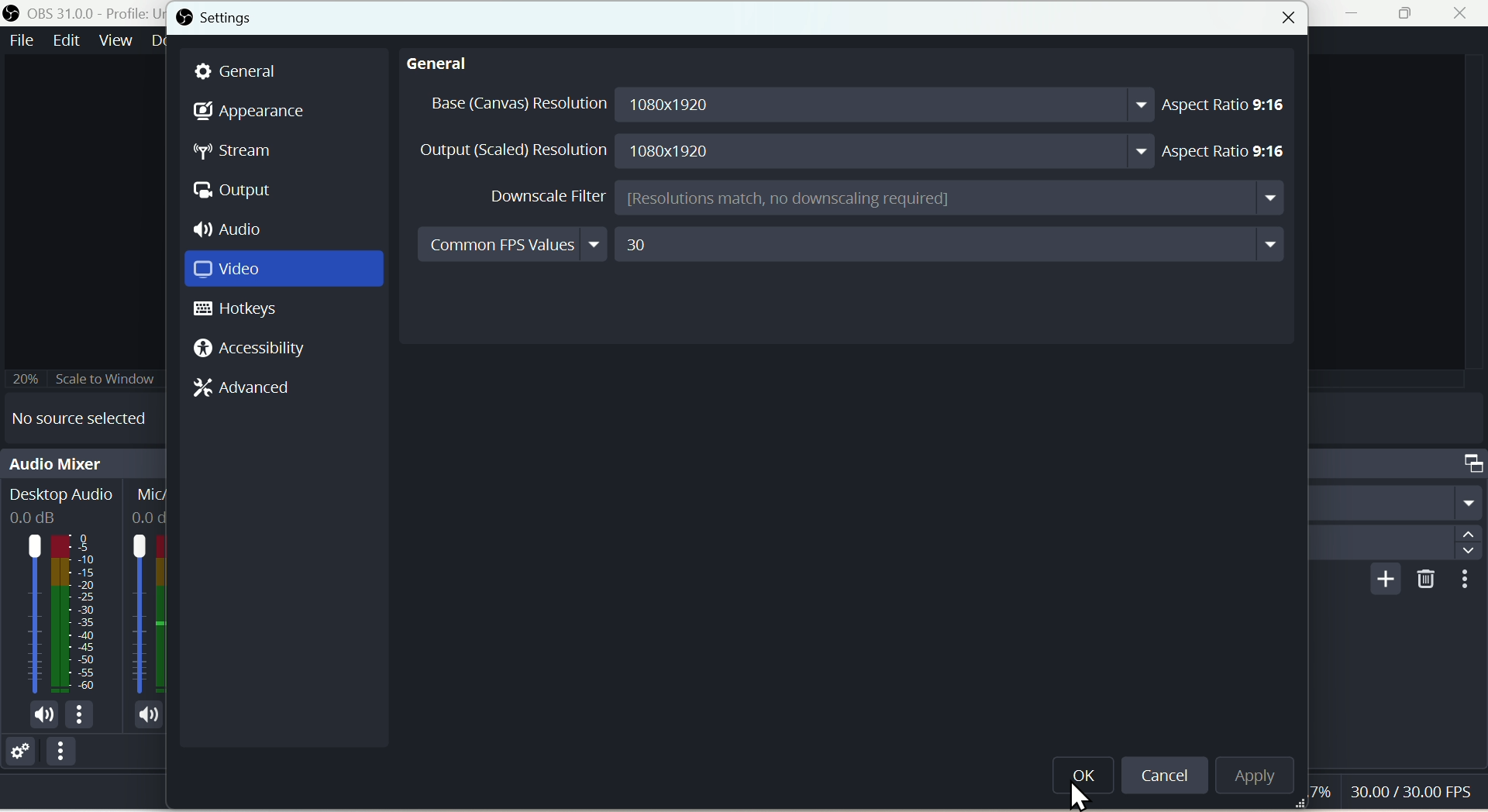  What do you see at coordinates (785, 105) in the screenshot?
I see `Base resolution` at bounding box center [785, 105].